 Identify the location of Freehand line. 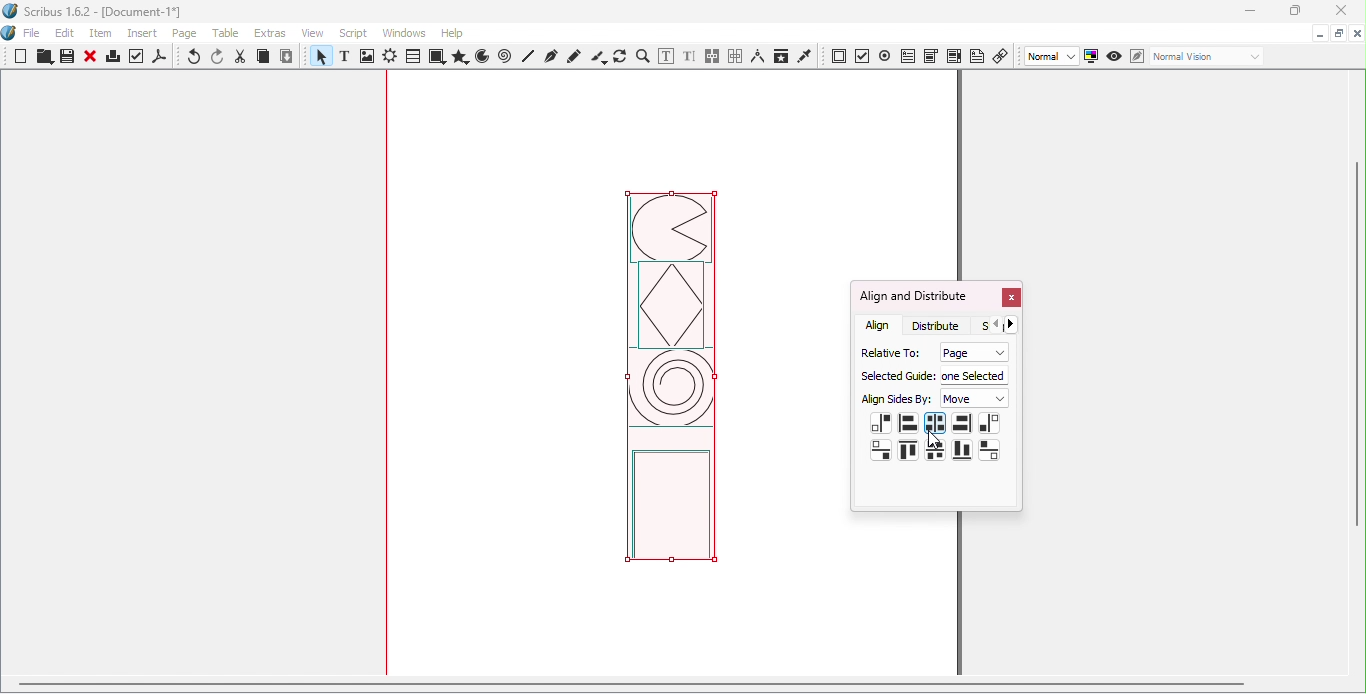
(575, 56).